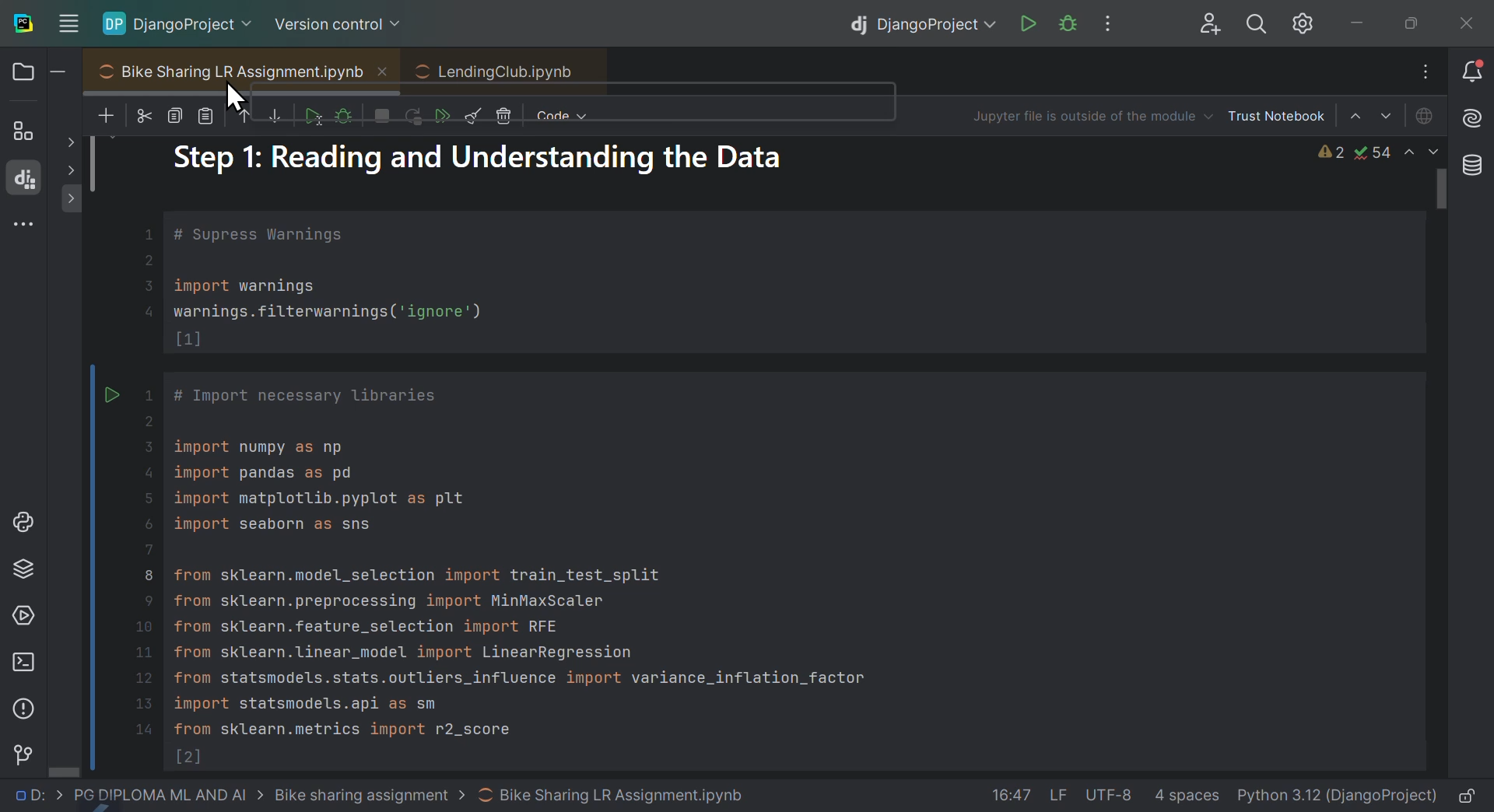 This screenshot has width=1494, height=812. Describe the element at coordinates (143, 114) in the screenshot. I see `cut ` at that location.